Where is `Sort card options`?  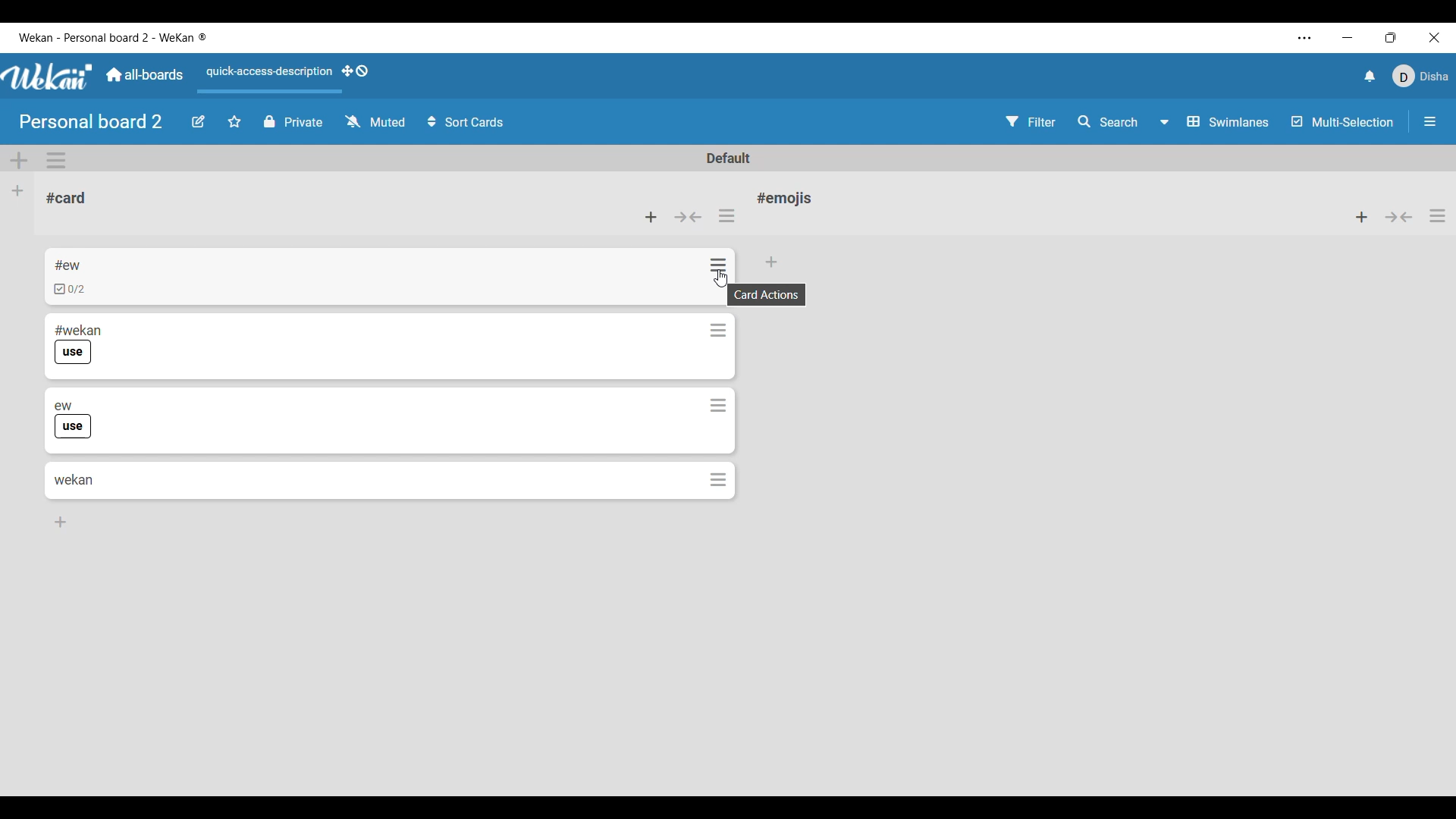
Sort card options is located at coordinates (466, 122).